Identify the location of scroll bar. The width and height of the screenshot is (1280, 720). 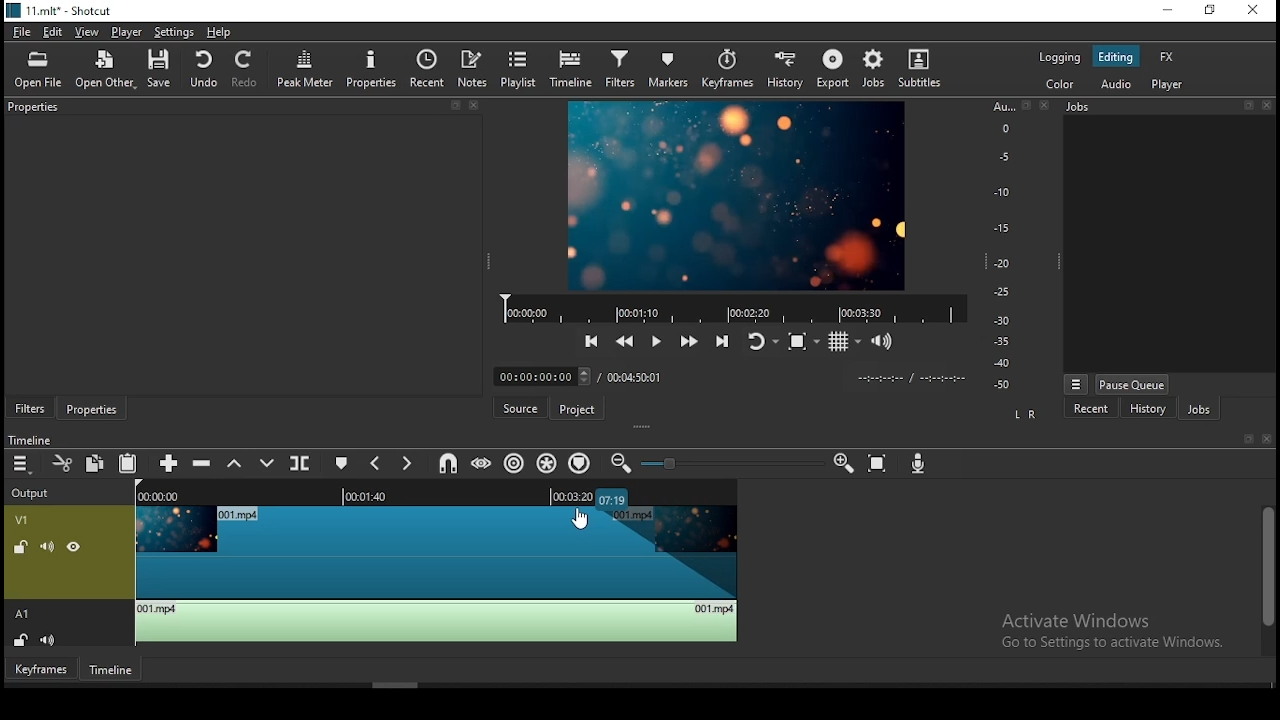
(1265, 576).